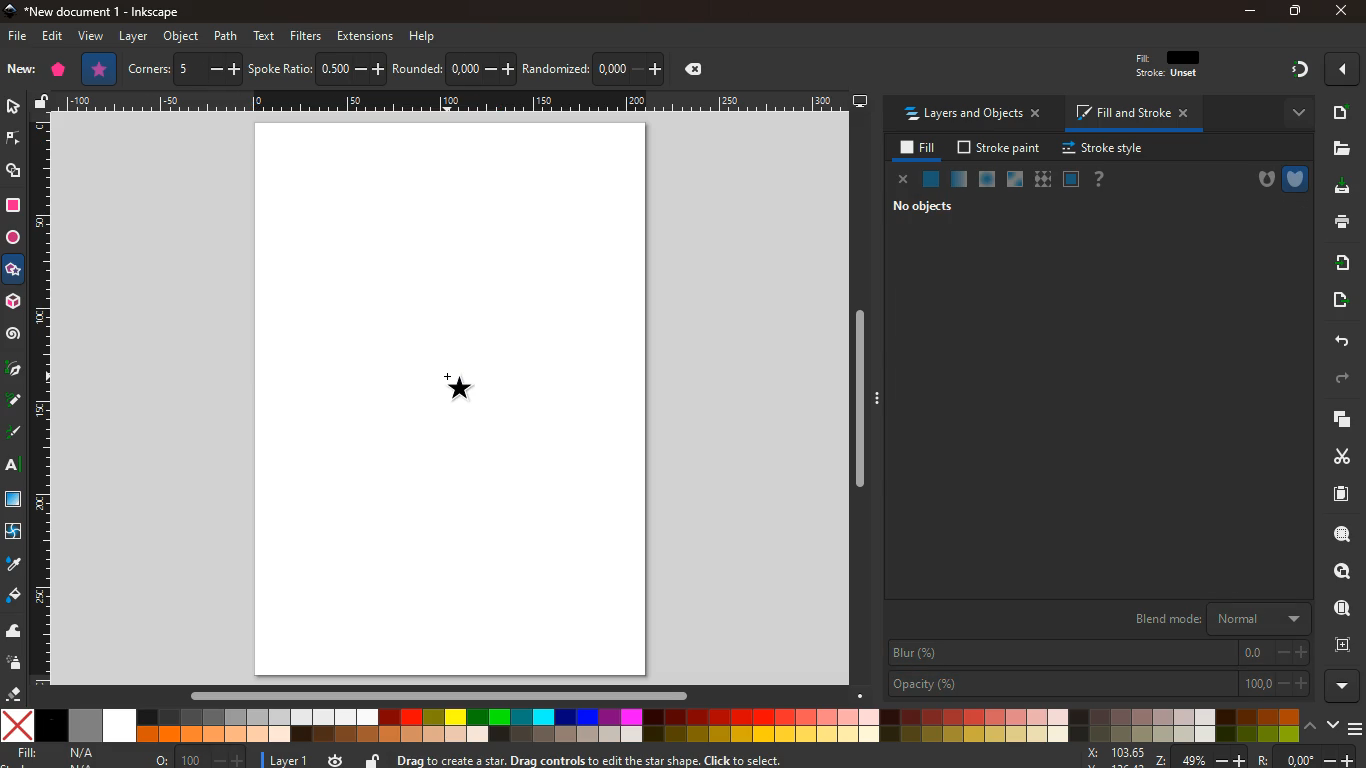  Describe the element at coordinates (596, 66) in the screenshot. I see `randomized` at that location.